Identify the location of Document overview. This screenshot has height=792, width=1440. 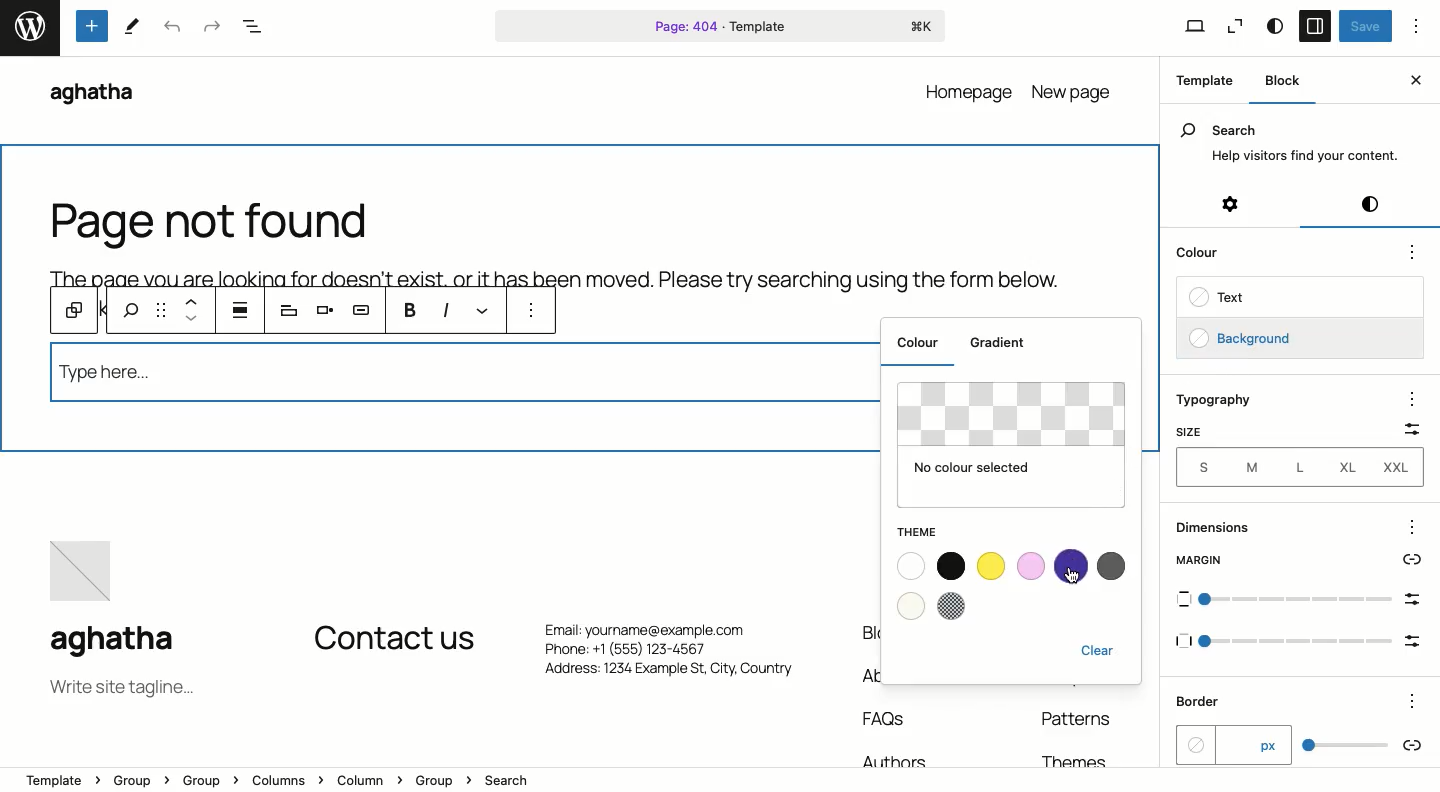
(252, 27).